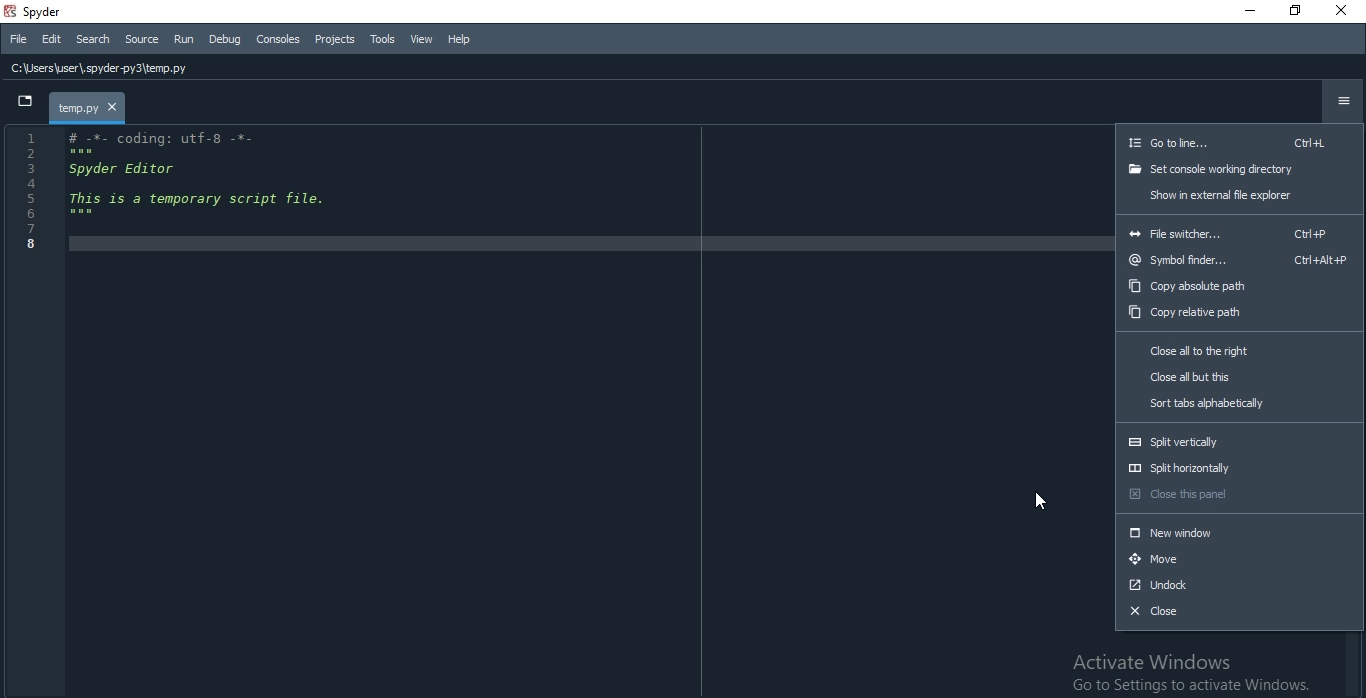 Image resolution: width=1366 pixels, height=698 pixels. Describe the element at coordinates (182, 38) in the screenshot. I see `Run` at that location.